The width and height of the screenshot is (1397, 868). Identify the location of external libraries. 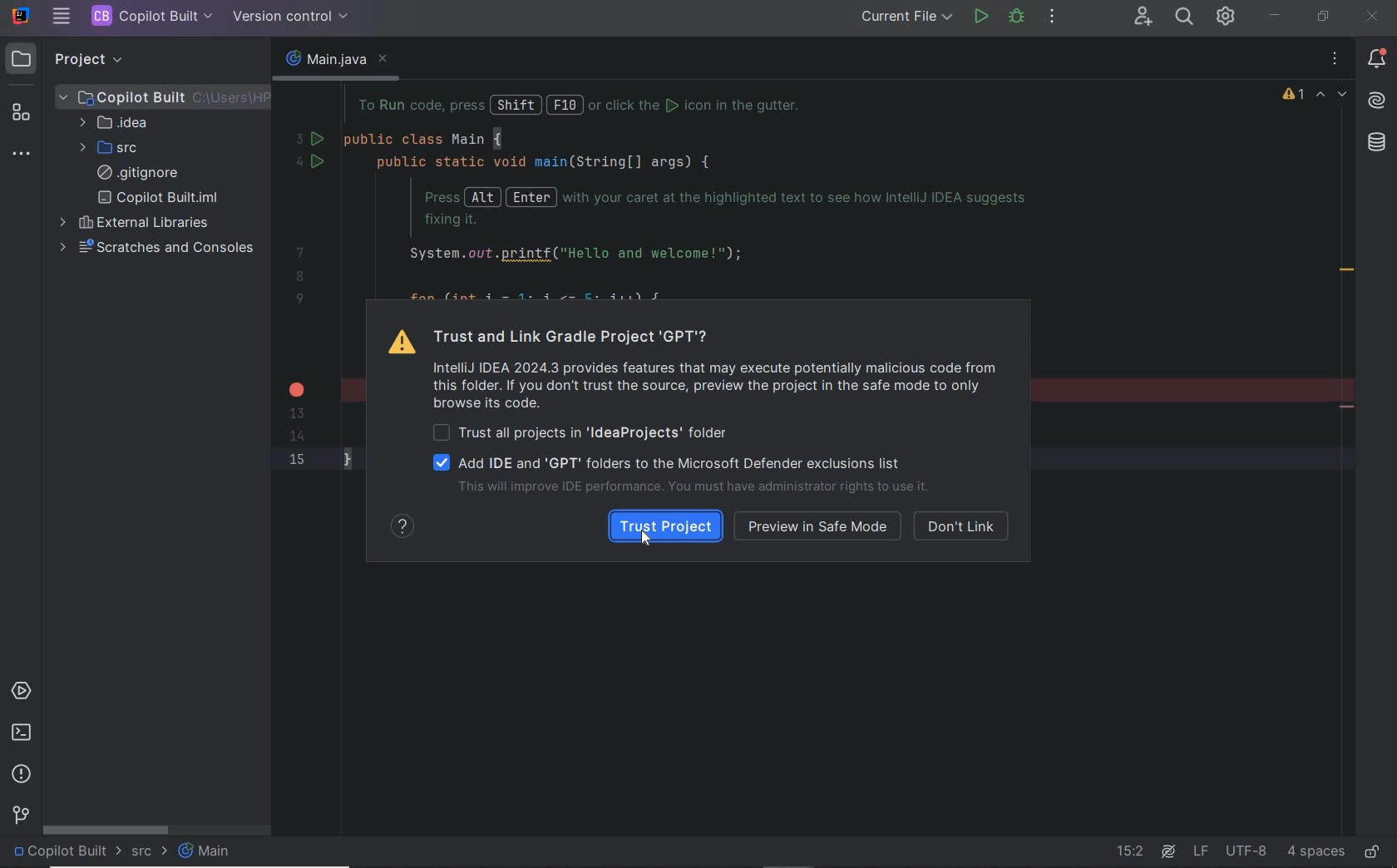
(138, 223).